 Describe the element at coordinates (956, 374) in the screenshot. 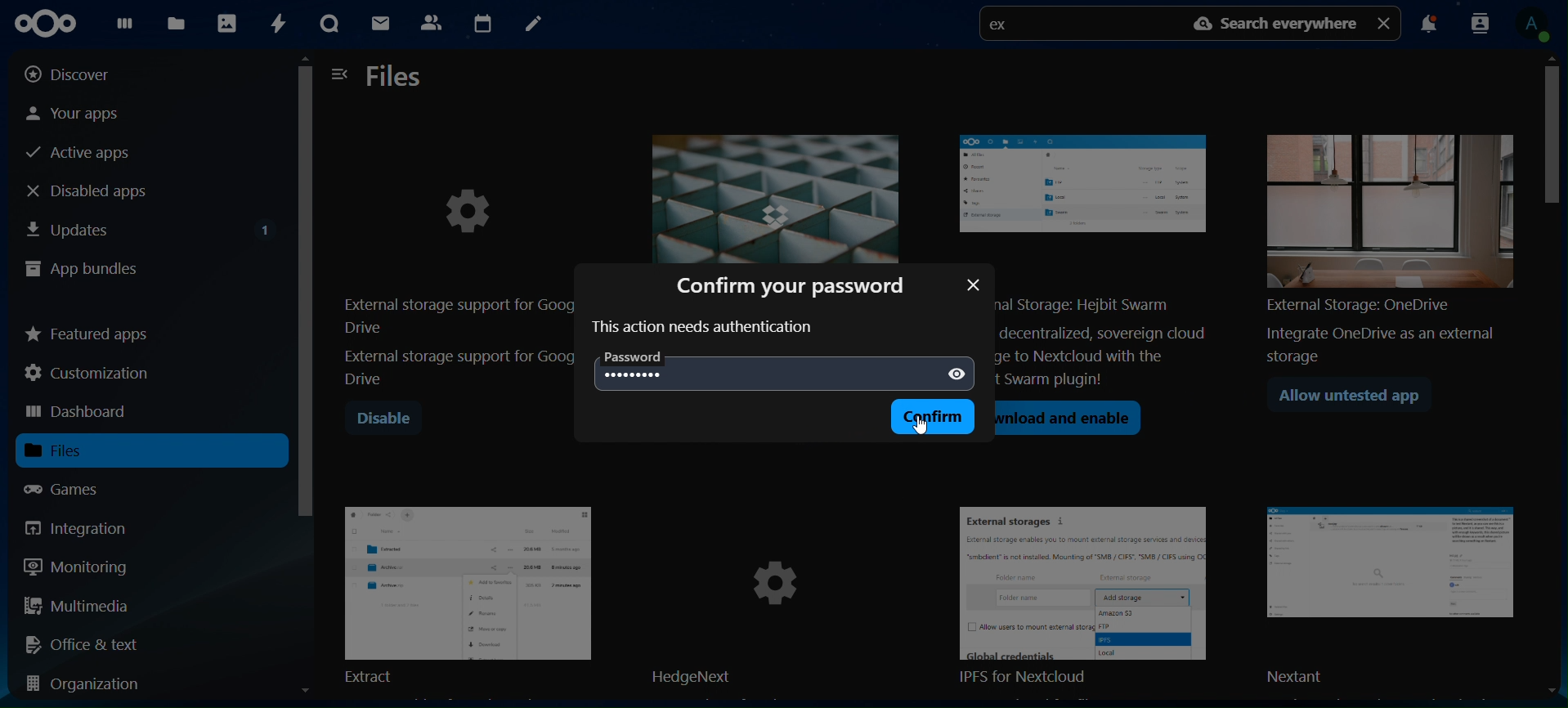

I see `show password` at that location.